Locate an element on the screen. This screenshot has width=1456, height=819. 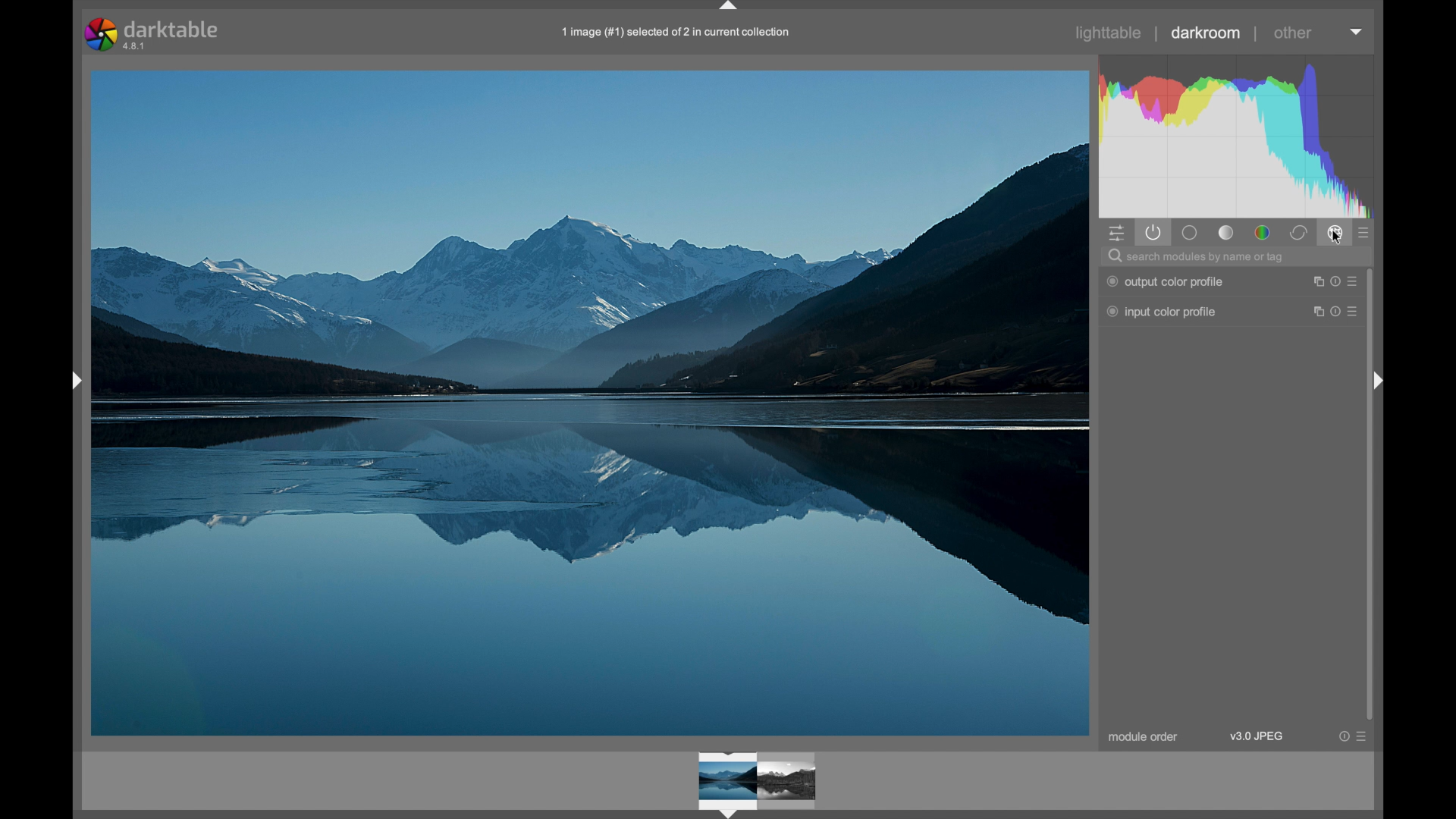
dropdown is located at coordinates (1357, 32).